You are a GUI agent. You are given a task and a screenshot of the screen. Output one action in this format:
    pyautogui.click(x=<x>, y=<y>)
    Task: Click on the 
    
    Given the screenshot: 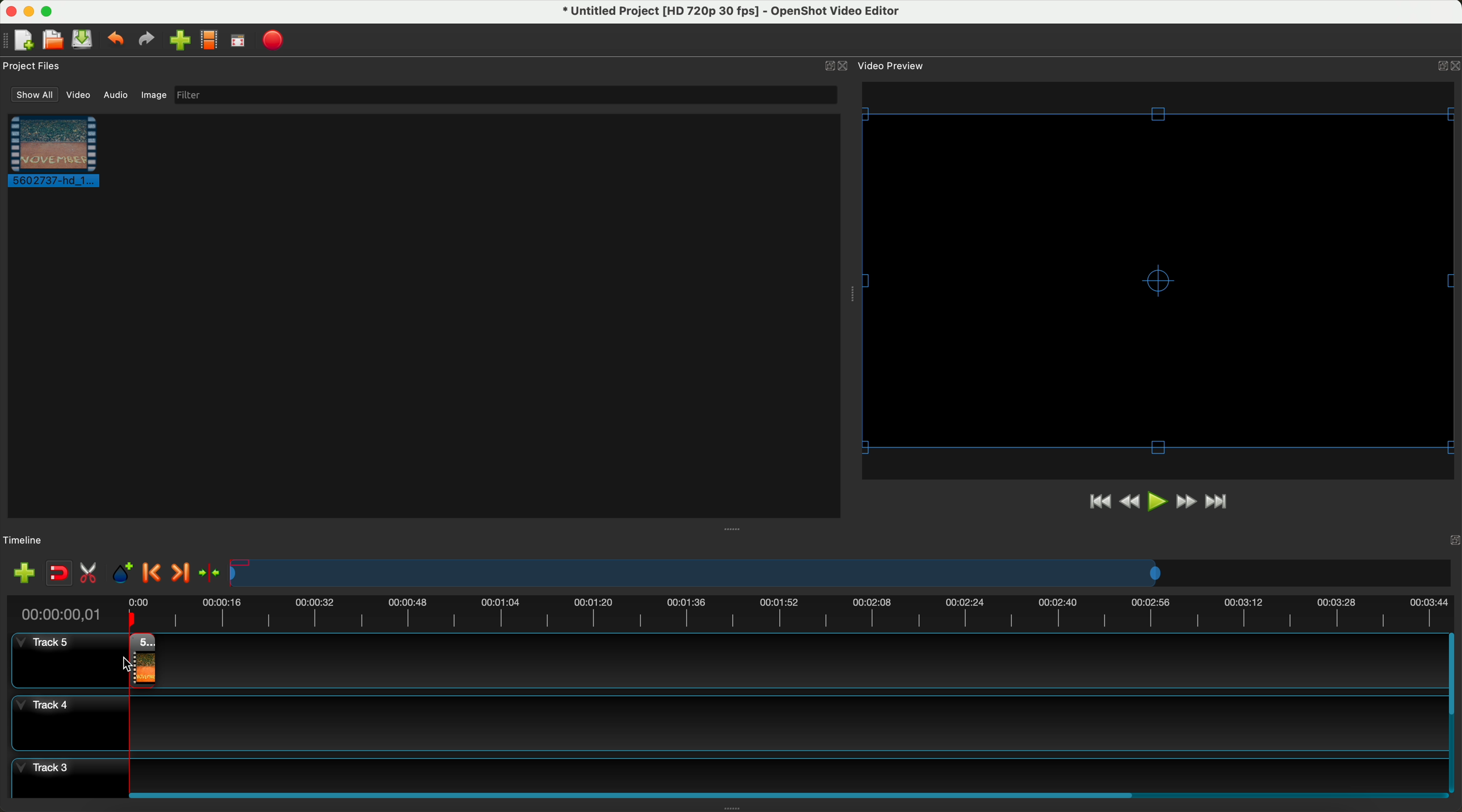 What is the action you would take?
    pyautogui.click(x=129, y=664)
    